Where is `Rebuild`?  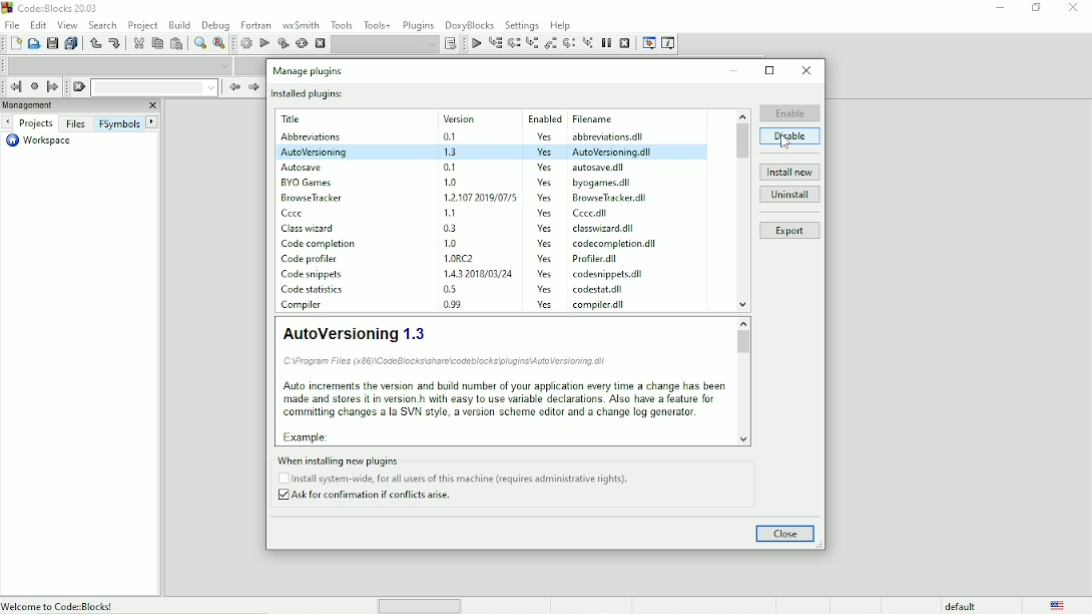
Rebuild is located at coordinates (301, 43).